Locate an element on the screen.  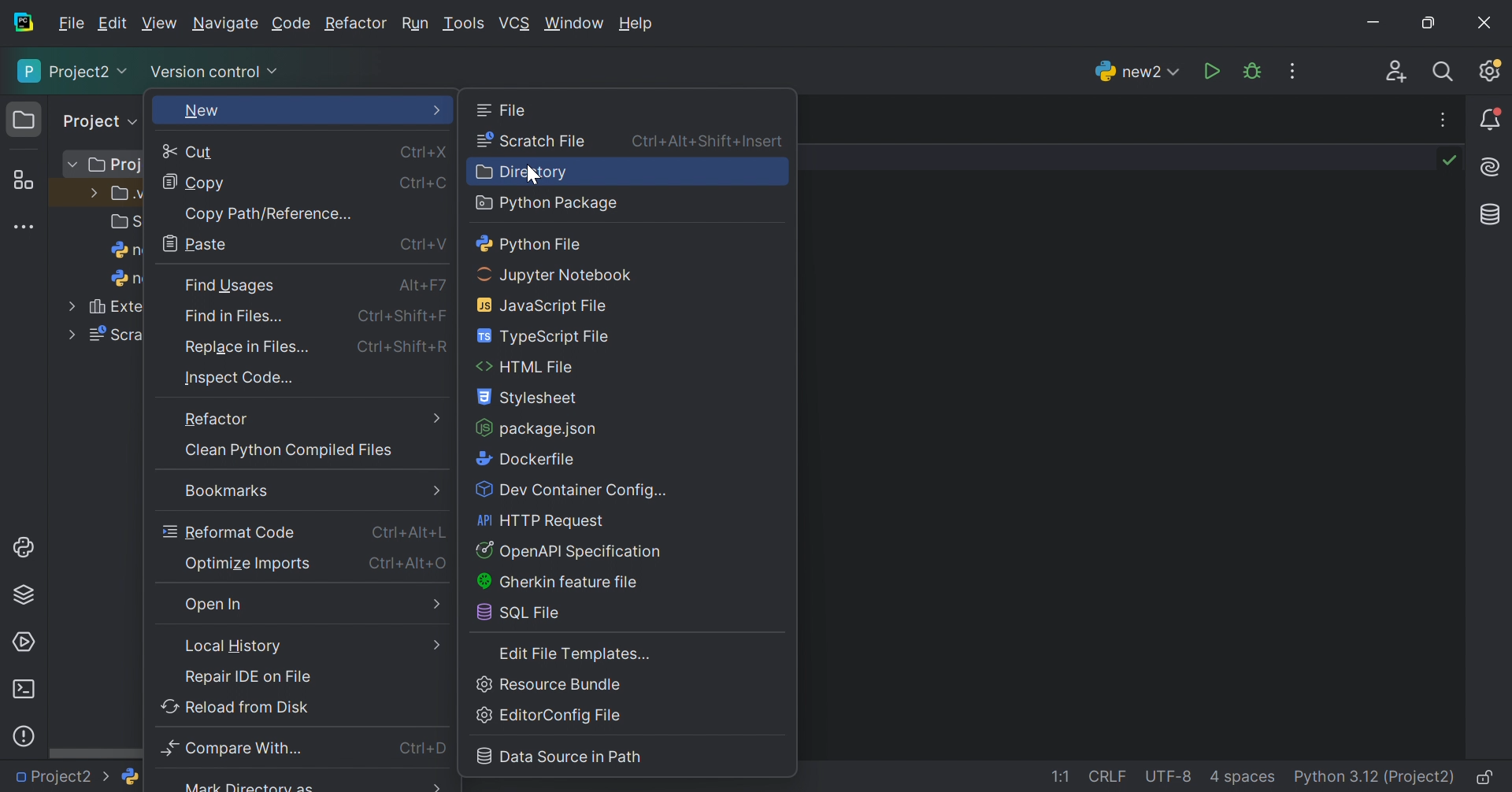
Copy is located at coordinates (196, 183).